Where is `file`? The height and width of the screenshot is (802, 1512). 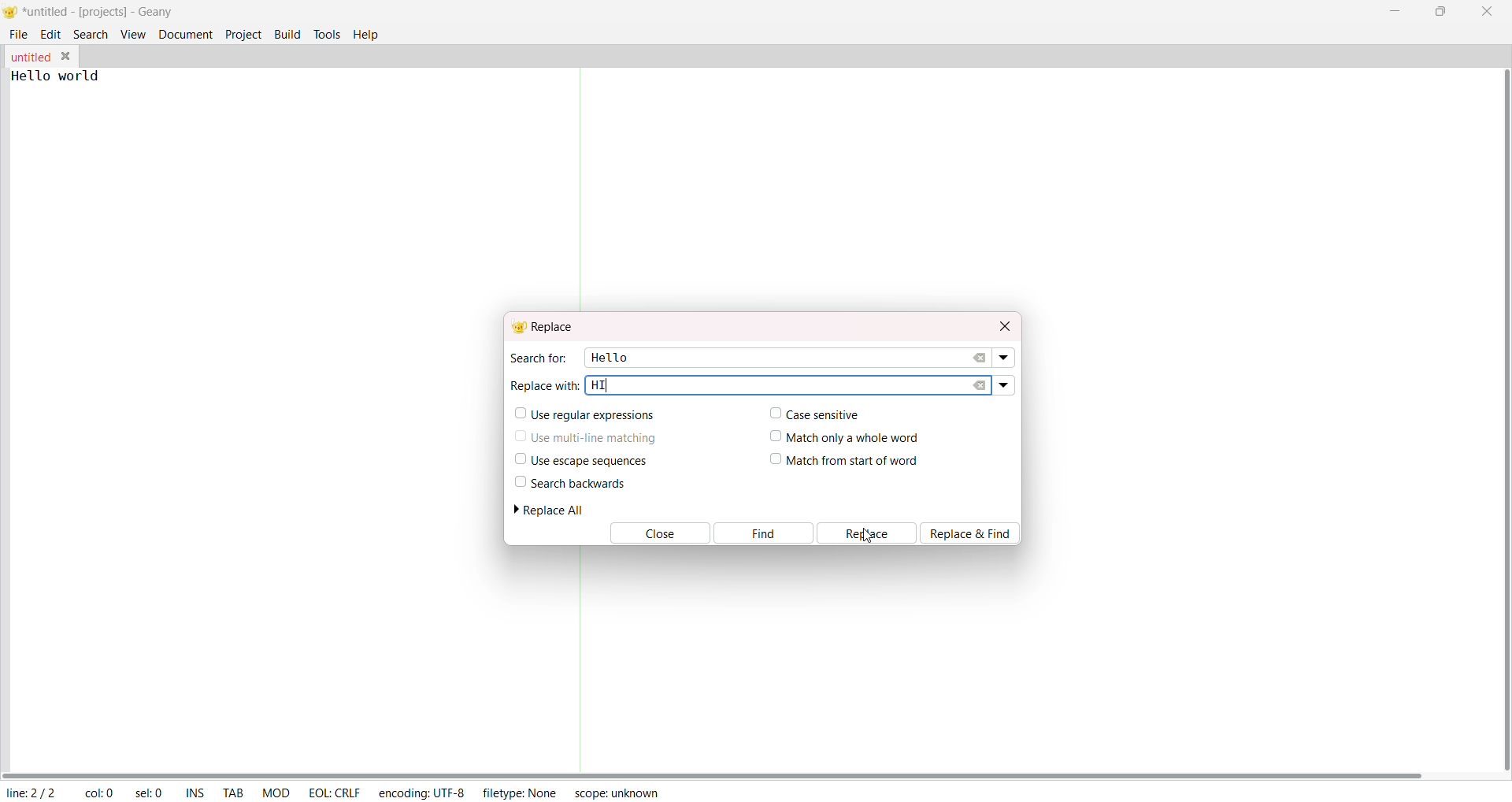
file is located at coordinates (20, 32).